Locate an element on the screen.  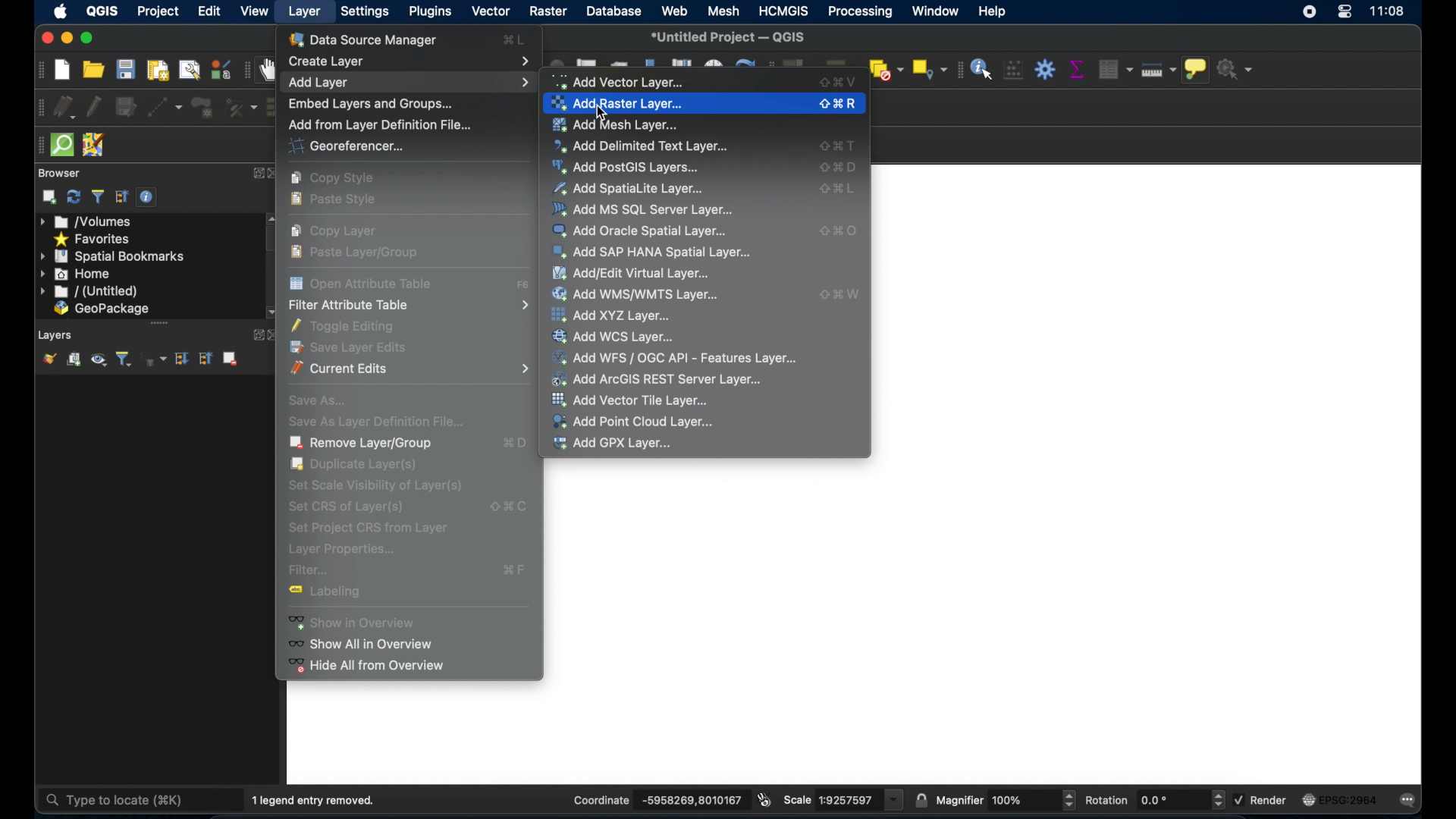
no action selected is located at coordinates (1237, 69).